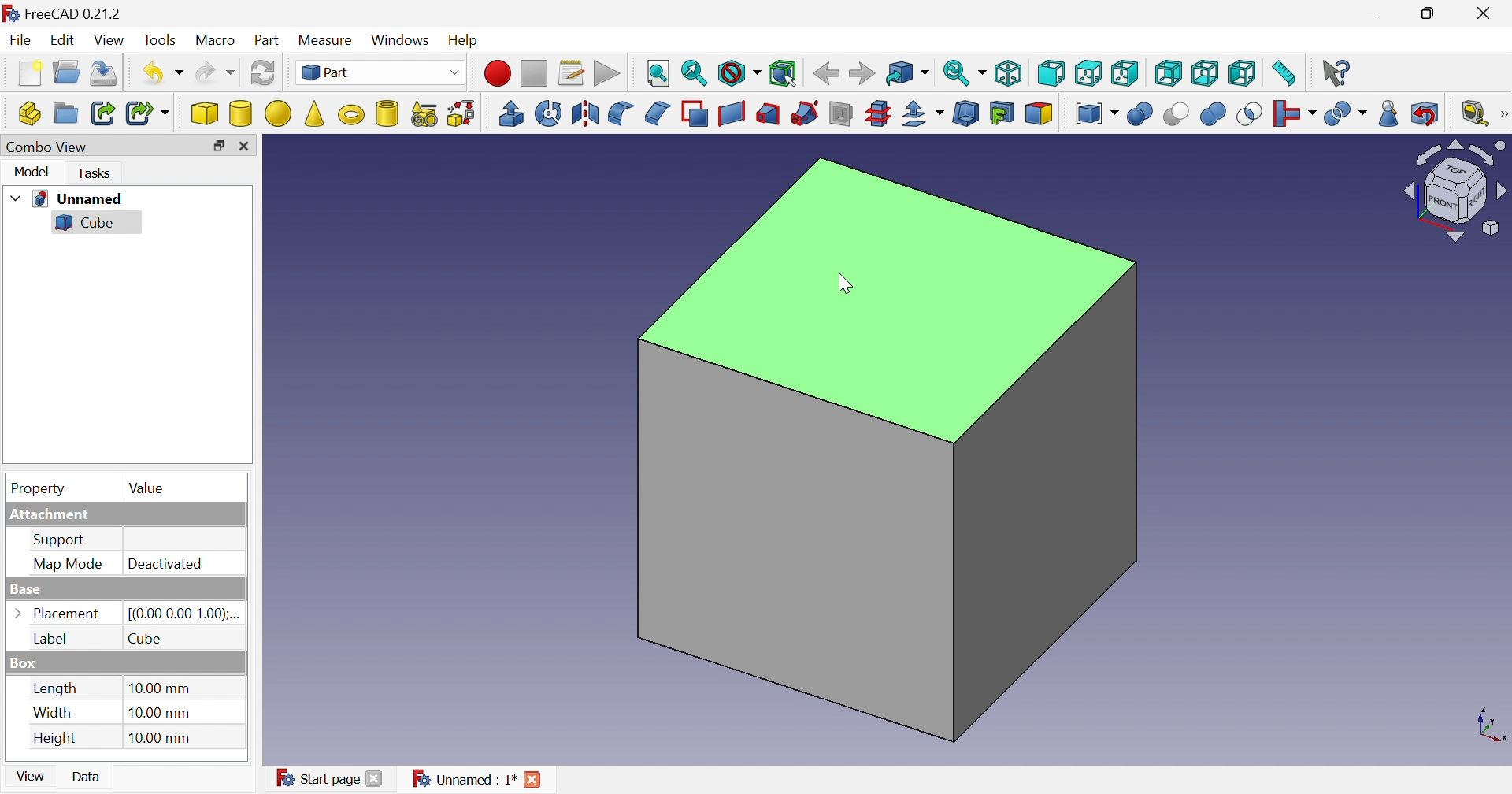 This screenshot has width=1512, height=794. What do you see at coordinates (695, 114) in the screenshot?
I see `Make face from wires` at bounding box center [695, 114].